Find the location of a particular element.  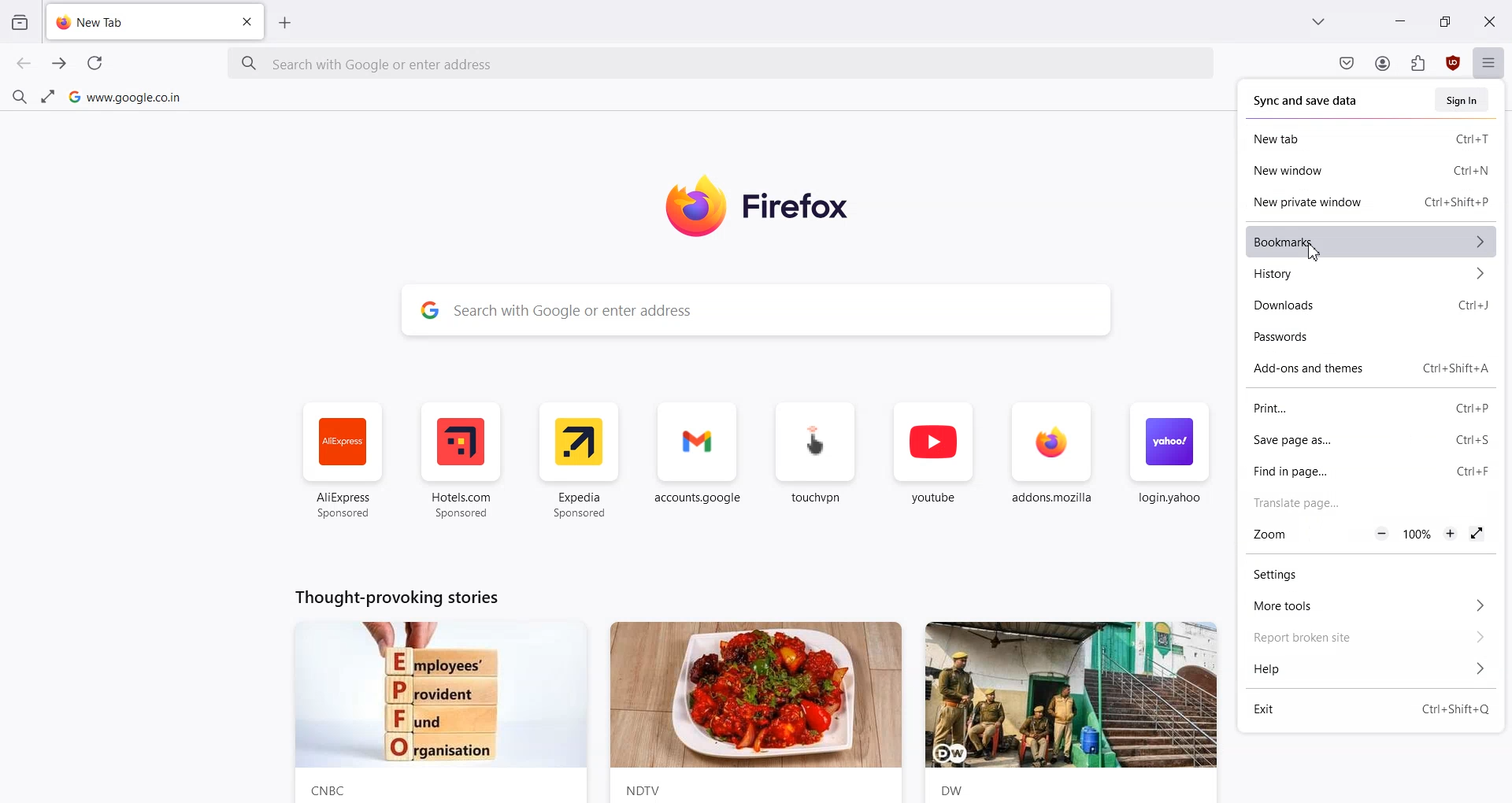

Open application menu is located at coordinates (1488, 61).